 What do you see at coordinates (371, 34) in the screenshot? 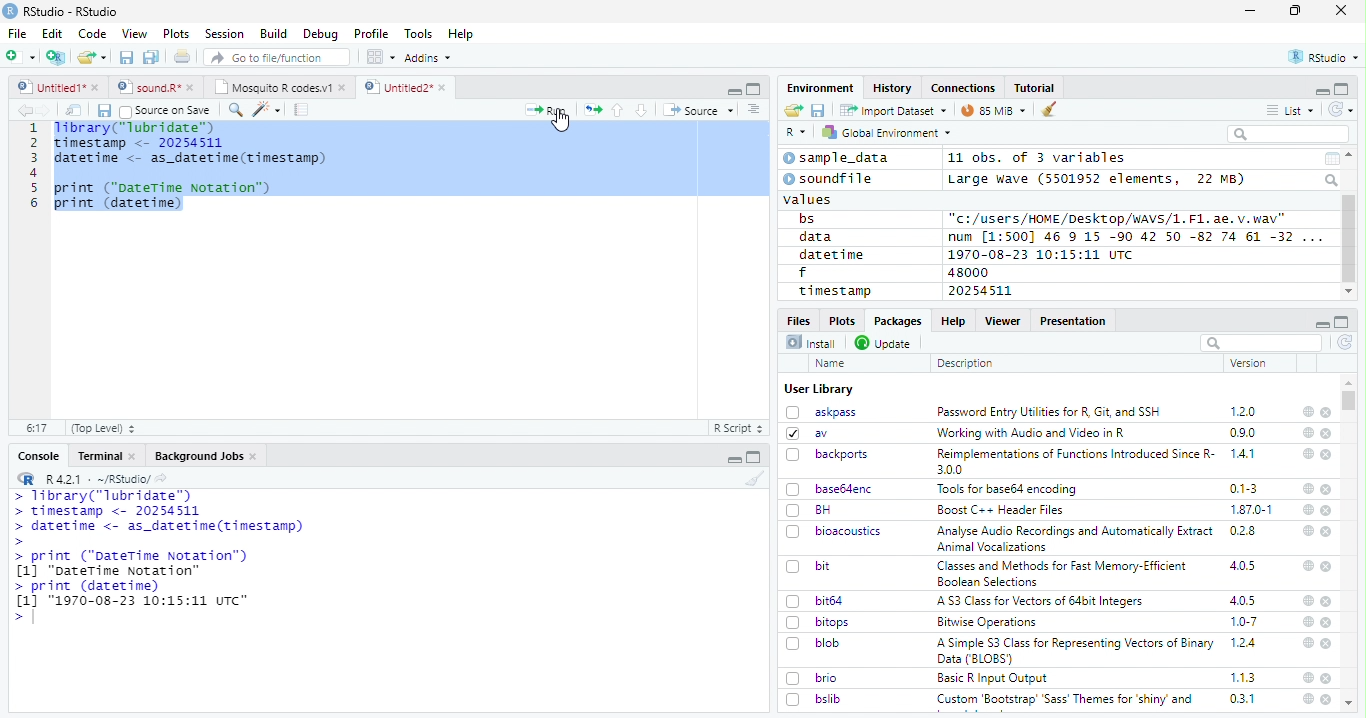
I see `Profile` at bounding box center [371, 34].